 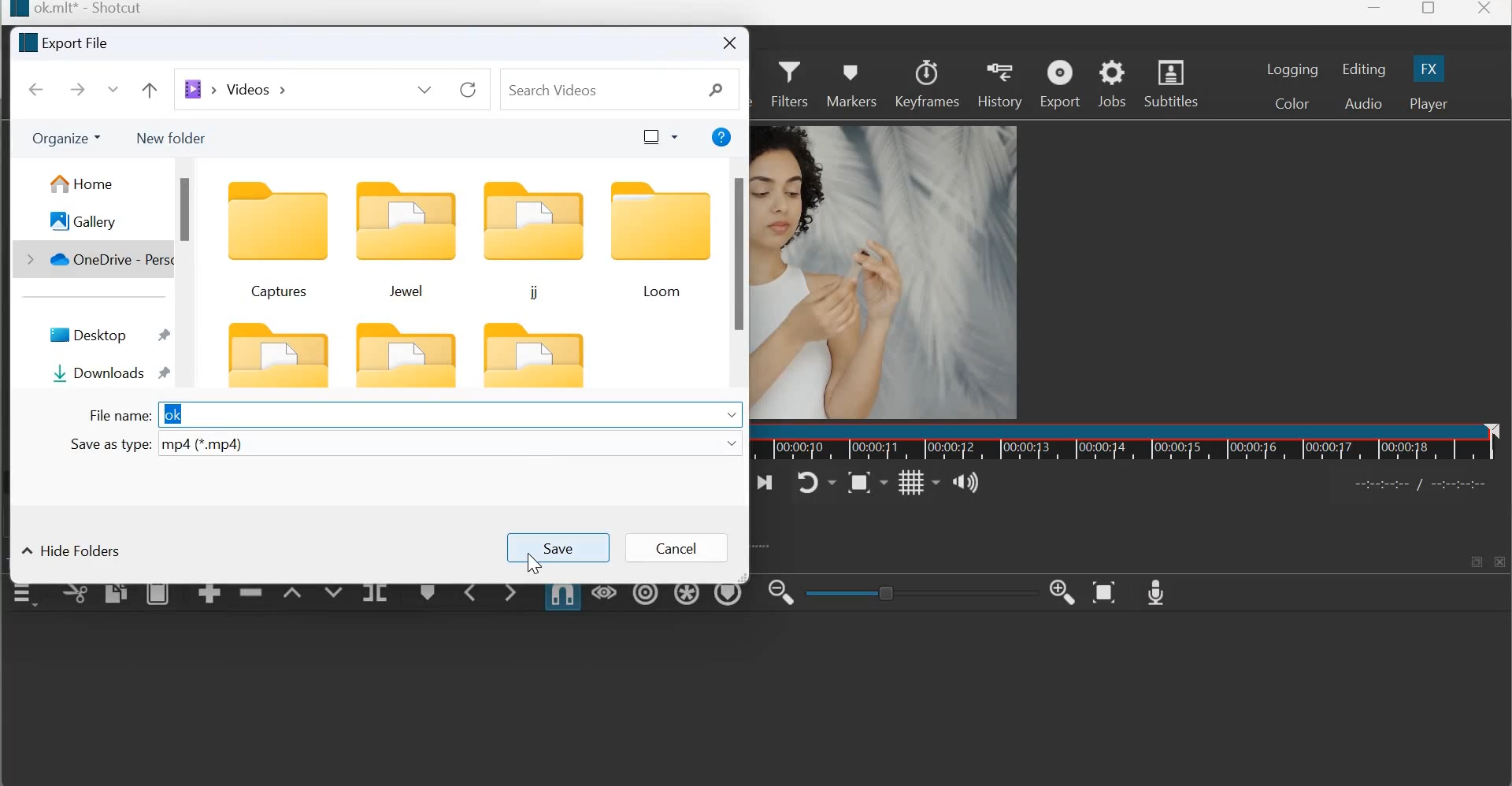 What do you see at coordinates (1428, 104) in the screenshot?
I see `Player` at bounding box center [1428, 104].